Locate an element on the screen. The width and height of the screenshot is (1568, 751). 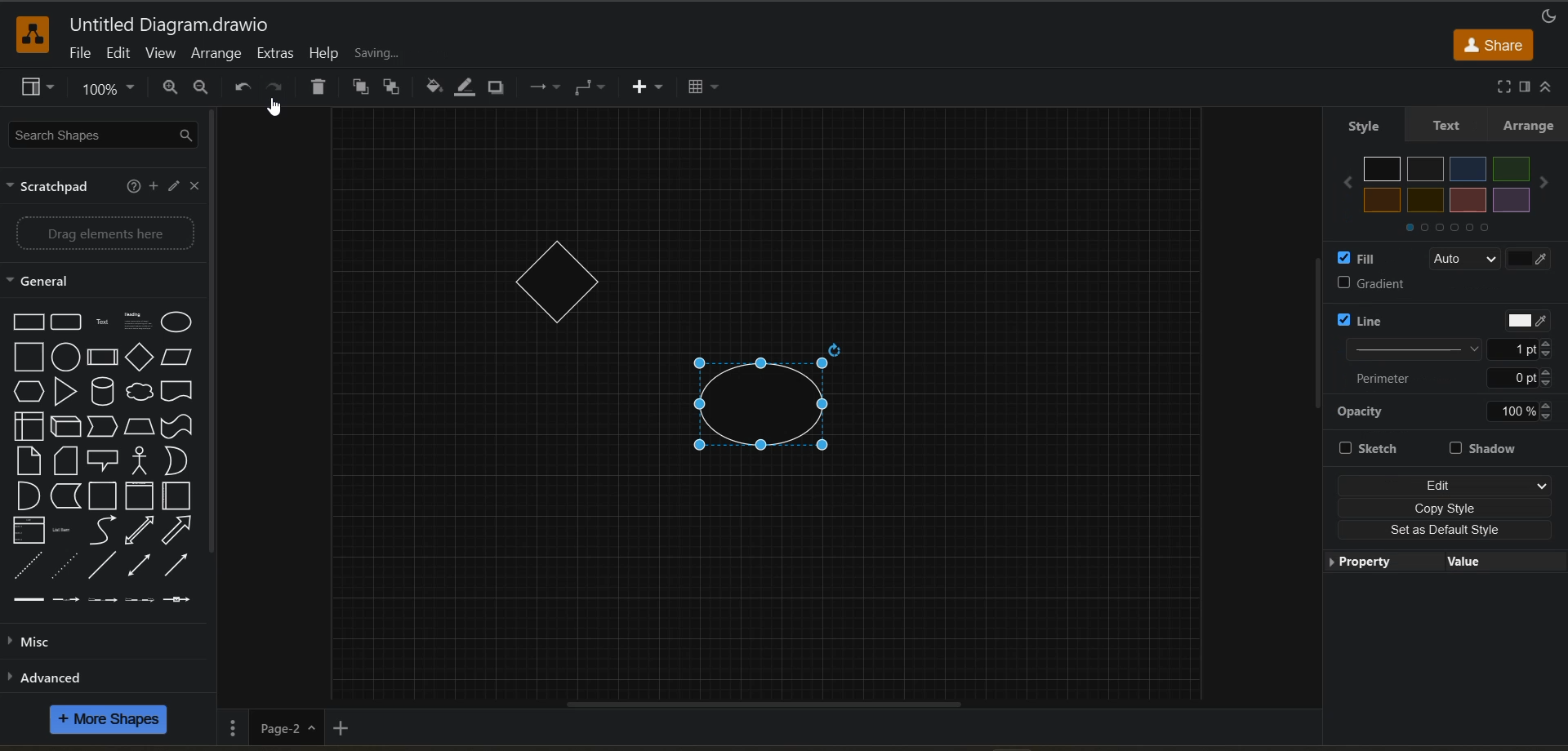
cloud is located at coordinates (137, 393).